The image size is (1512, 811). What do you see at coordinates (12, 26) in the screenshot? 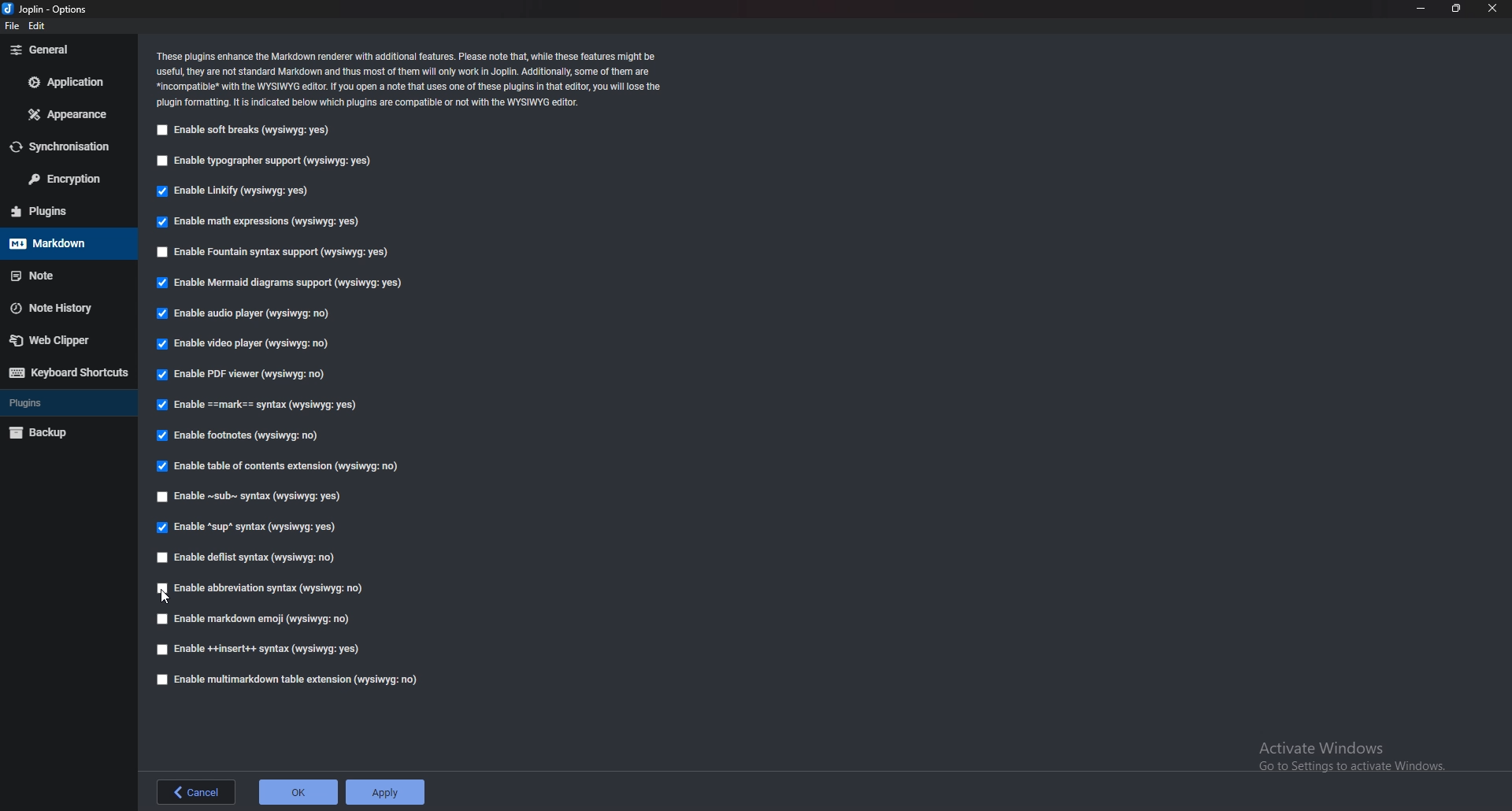
I see `file` at bounding box center [12, 26].